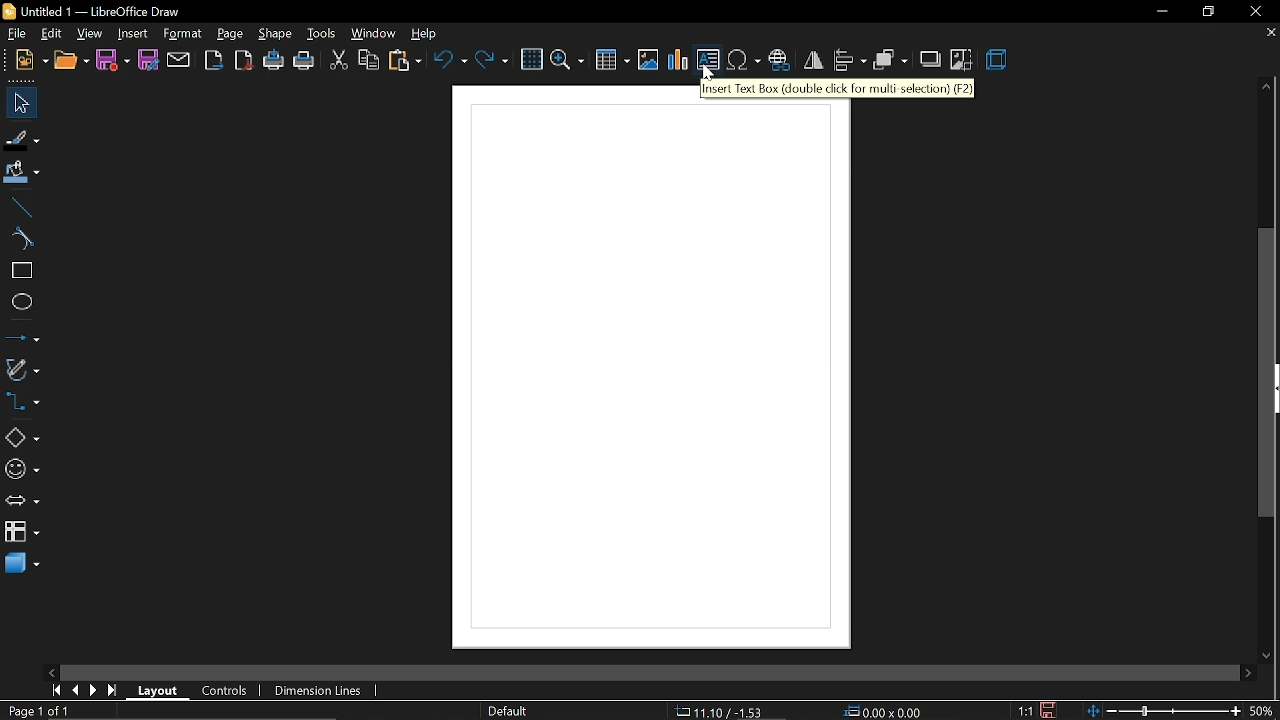 This screenshot has width=1280, height=720. I want to click on ellipse, so click(20, 304).